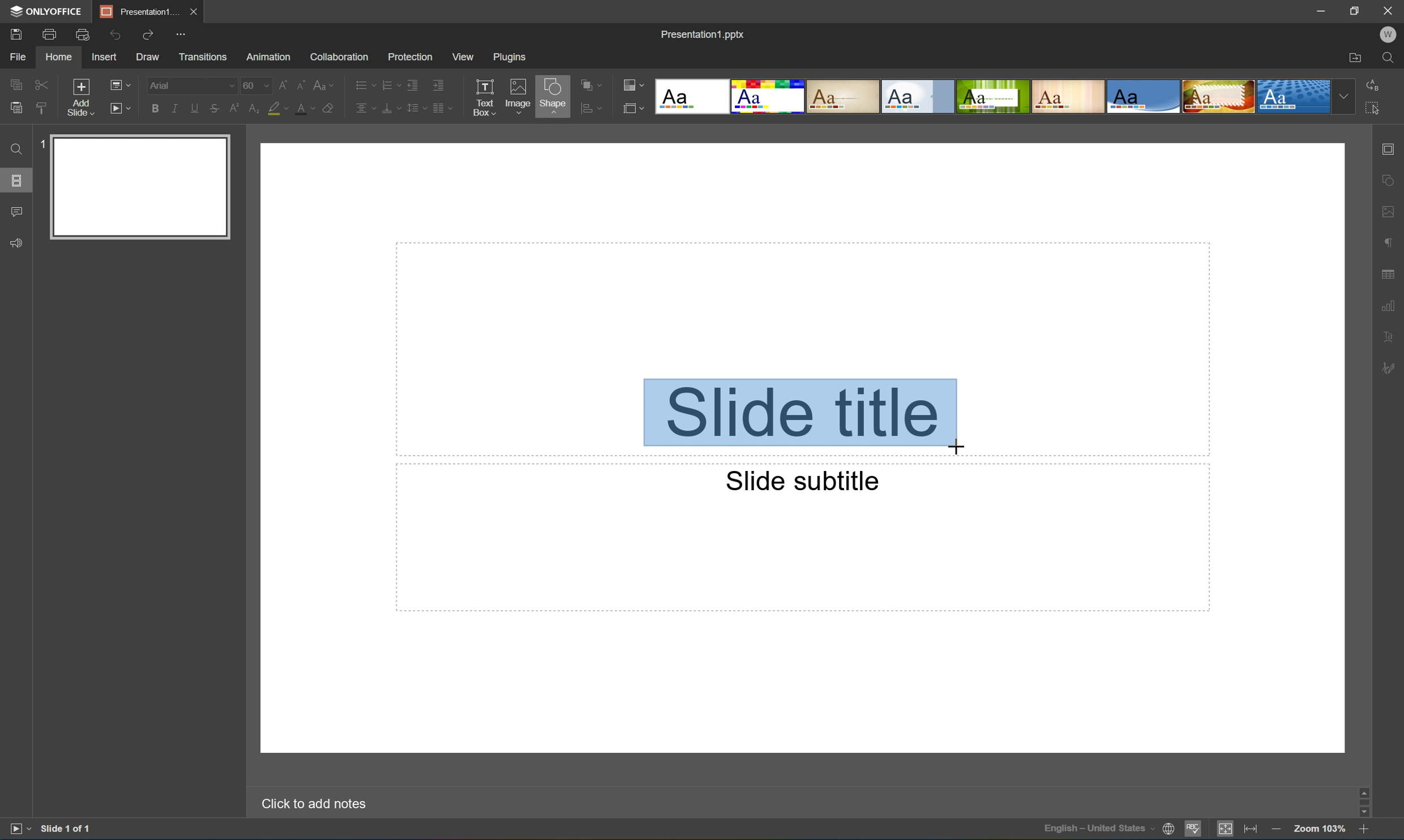 The width and height of the screenshot is (1404, 840). Describe the element at coordinates (1390, 307) in the screenshot. I see `chart settings` at that location.